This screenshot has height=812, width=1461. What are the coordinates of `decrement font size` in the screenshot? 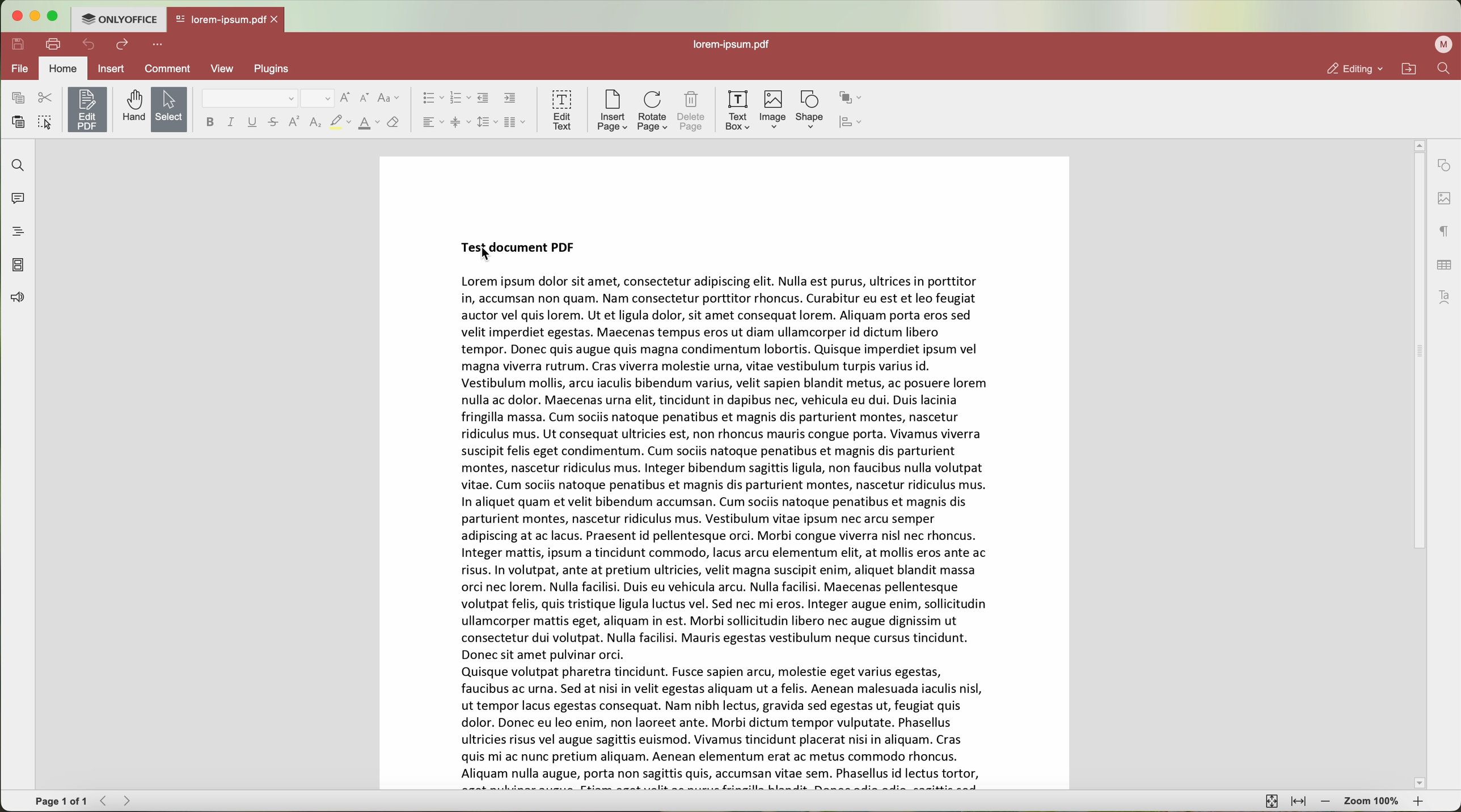 It's located at (366, 98).